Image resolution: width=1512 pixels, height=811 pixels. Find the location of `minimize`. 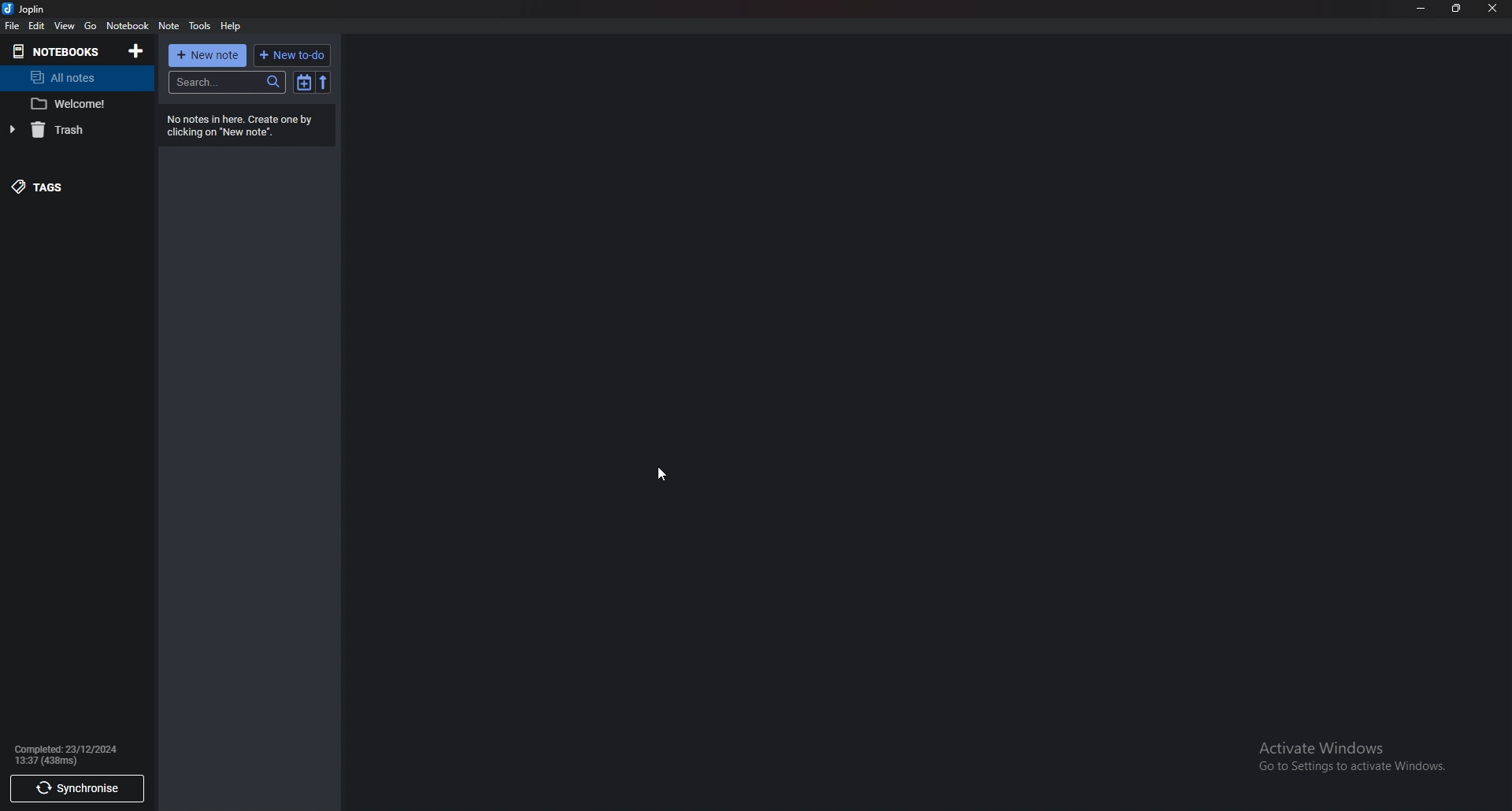

minimize is located at coordinates (1422, 8).